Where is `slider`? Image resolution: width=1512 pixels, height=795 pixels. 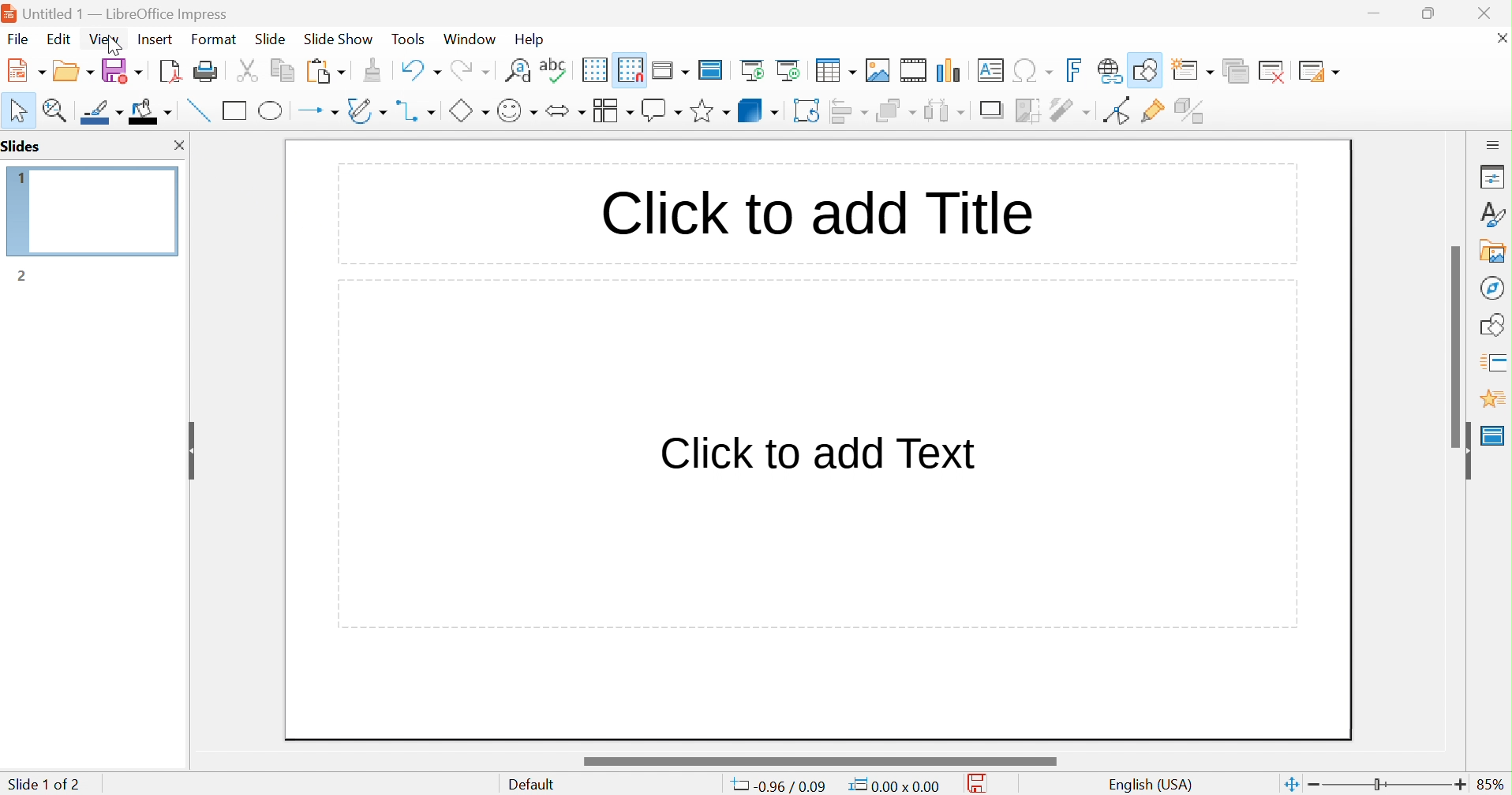
slider is located at coordinates (818, 761).